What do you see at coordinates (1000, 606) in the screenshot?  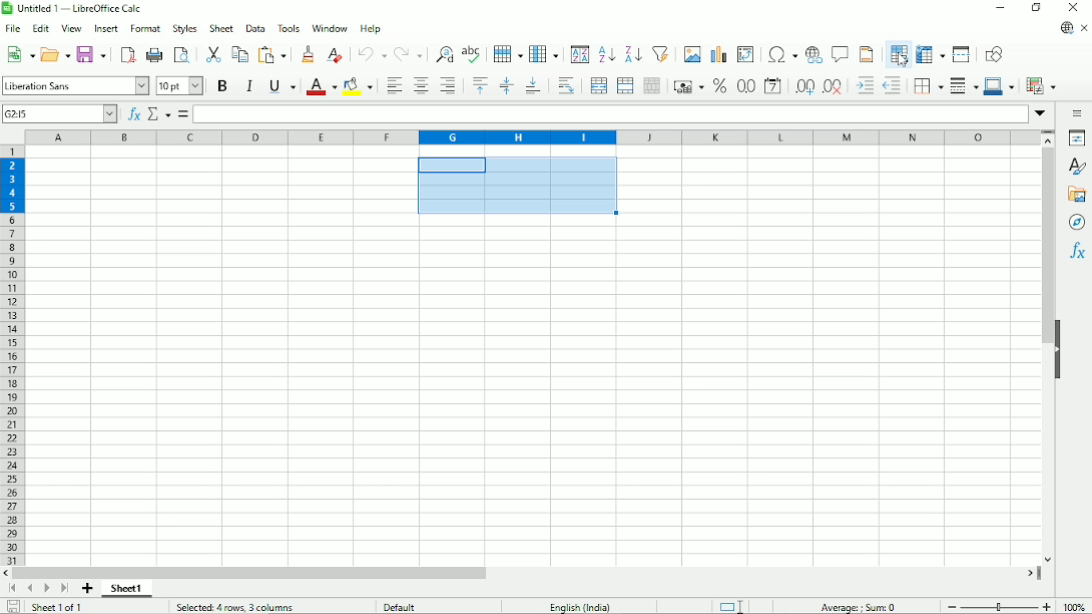 I see `Zoom out/in` at bounding box center [1000, 606].